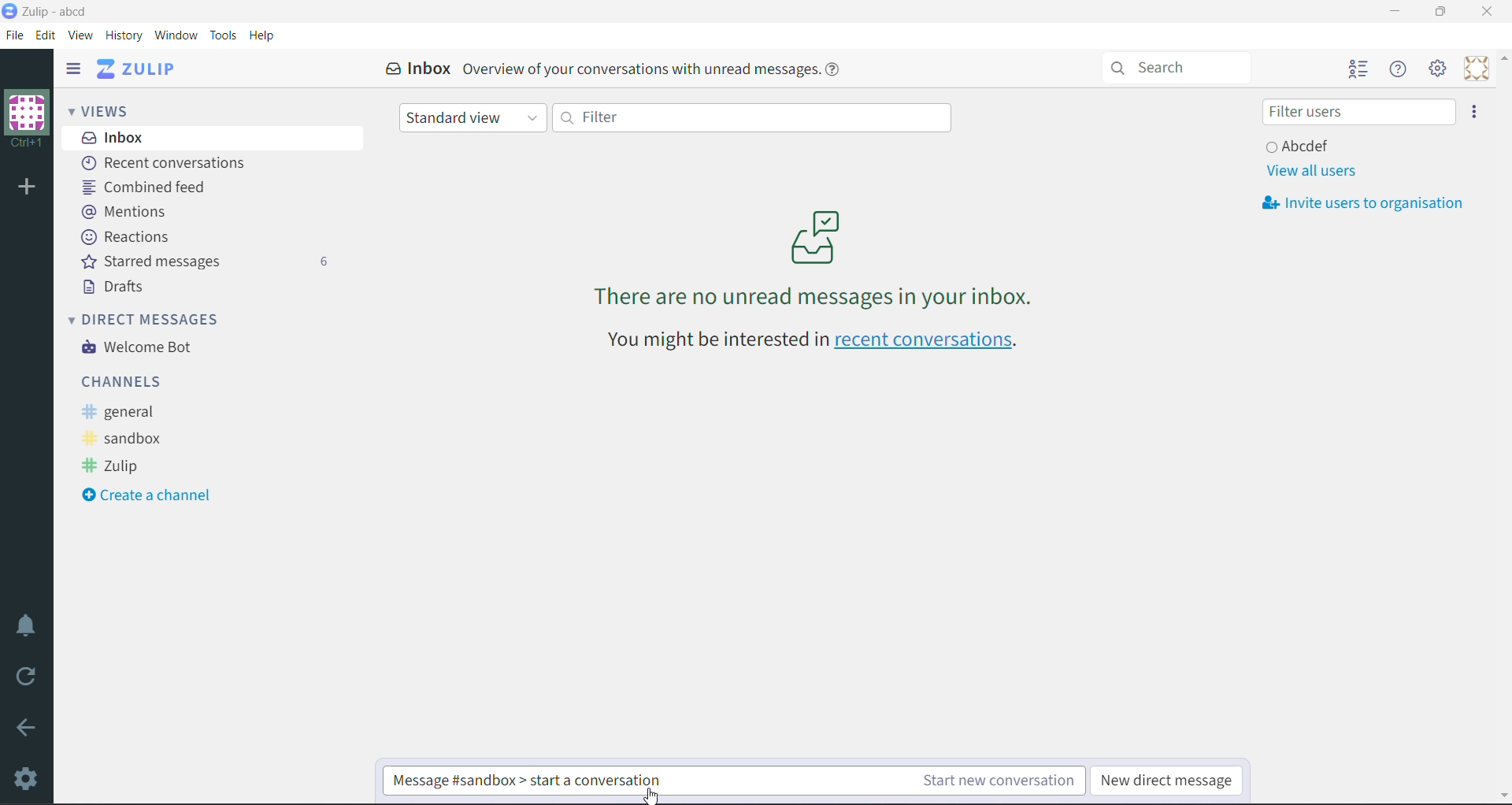 The image size is (1512, 805). What do you see at coordinates (1477, 69) in the screenshot?
I see `Personal Menu` at bounding box center [1477, 69].